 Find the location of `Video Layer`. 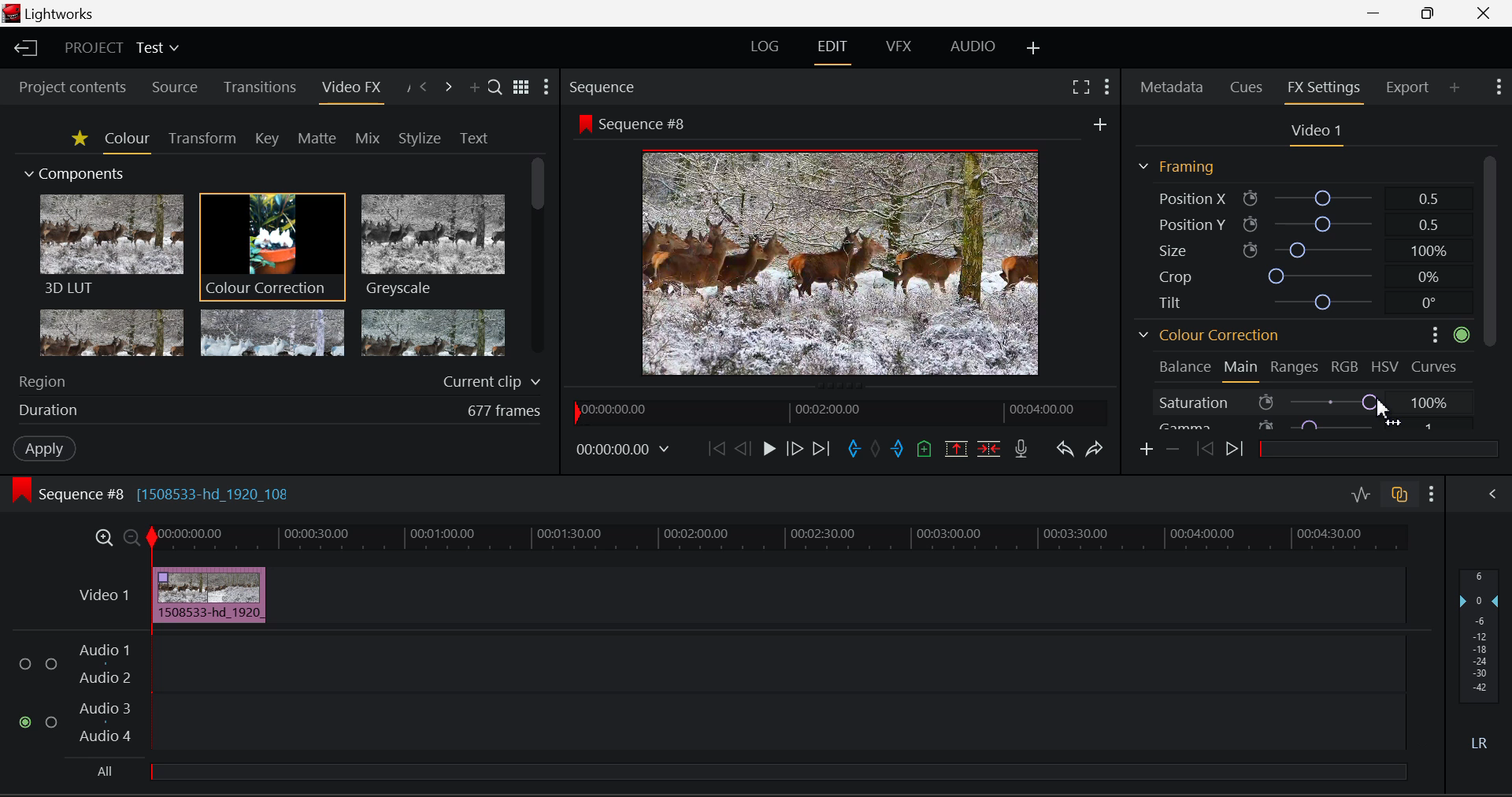

Video Layer is located at coordinates (105, 595).